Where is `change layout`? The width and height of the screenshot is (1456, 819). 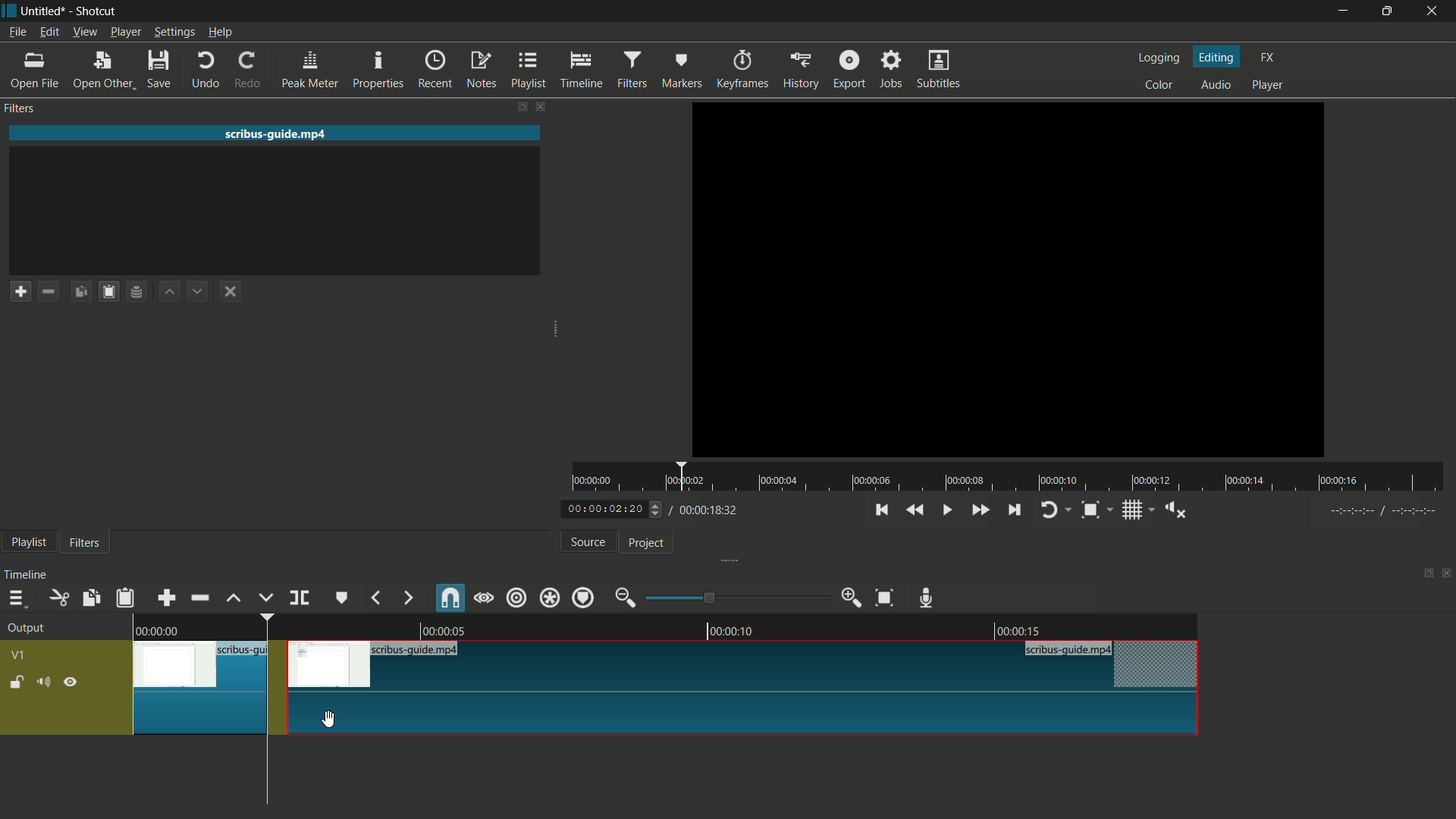
change layout is located at coordinates (1426, 575).